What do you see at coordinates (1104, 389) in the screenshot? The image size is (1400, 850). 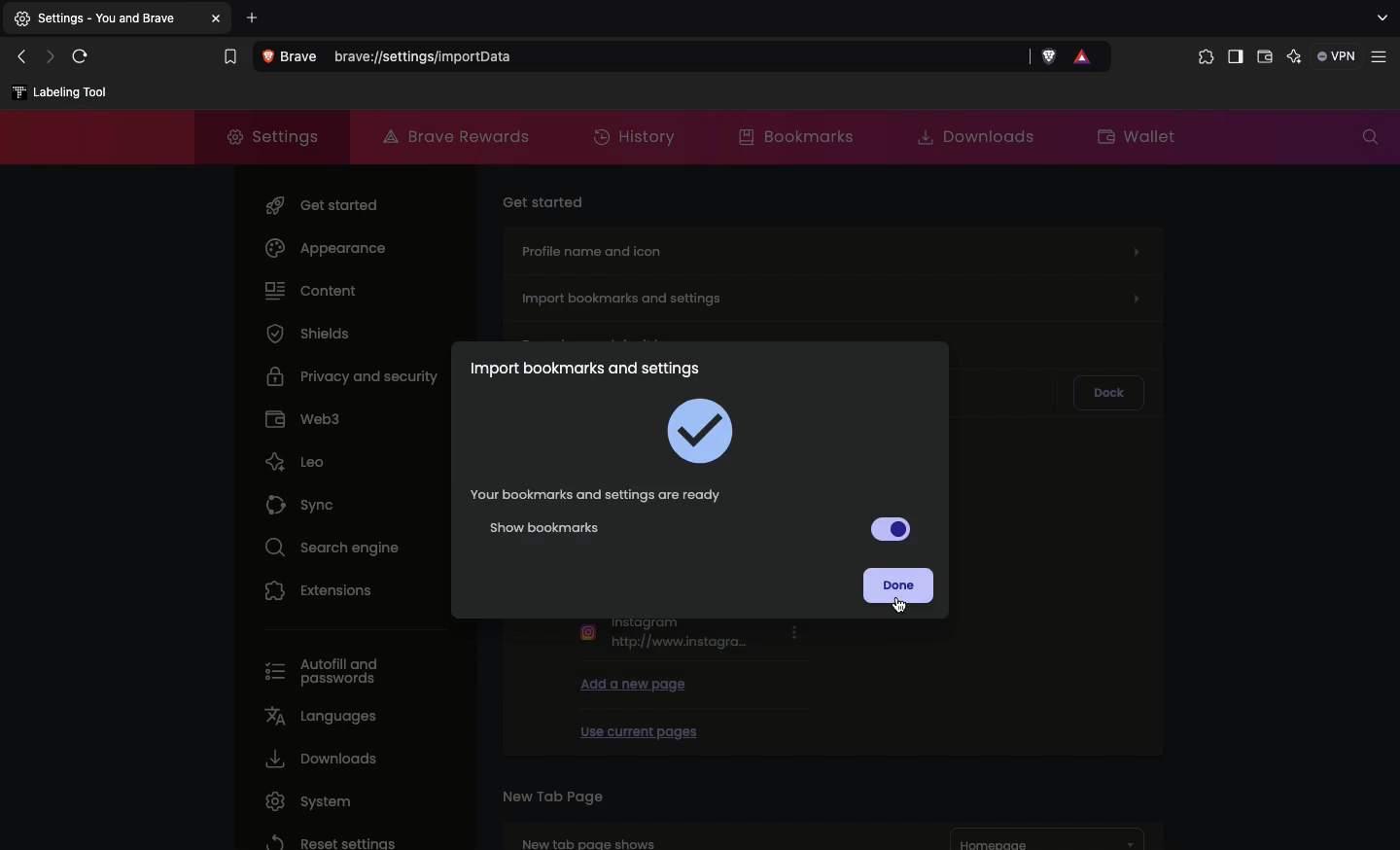 I see `Dock` at bounding box center [1104, 389].